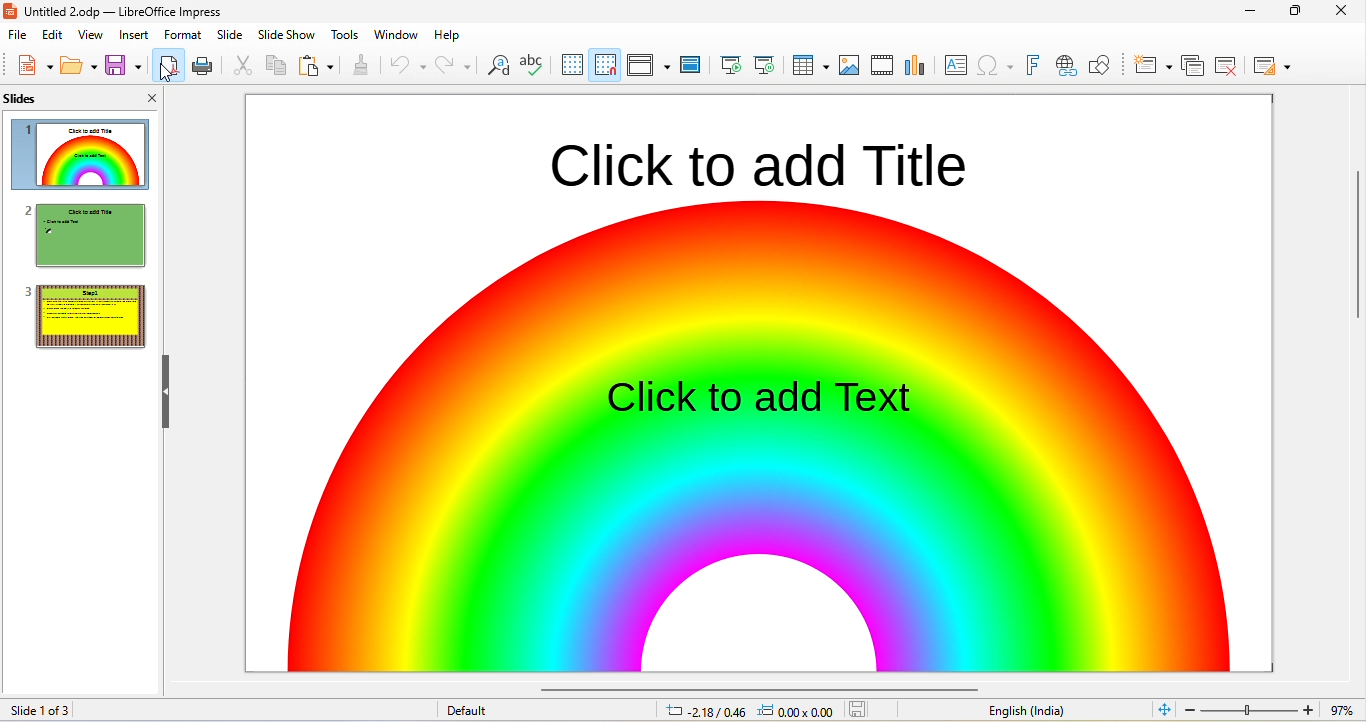 This screenshot has width=1366, height=722. What do you see at coordinates (1029, 711) in the screenshot?
I see `english` at bounding box center [1029, 711].